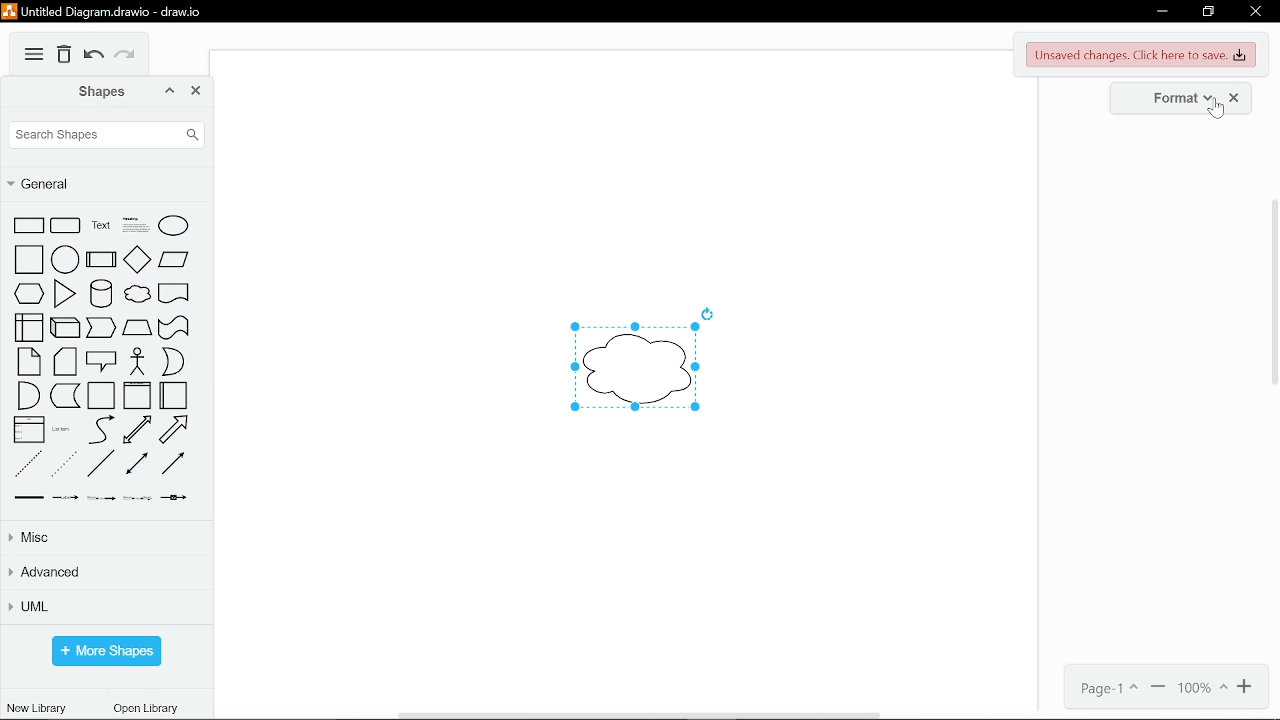 The image size is (1280, 720). I want to click on line, so click(102, 463).